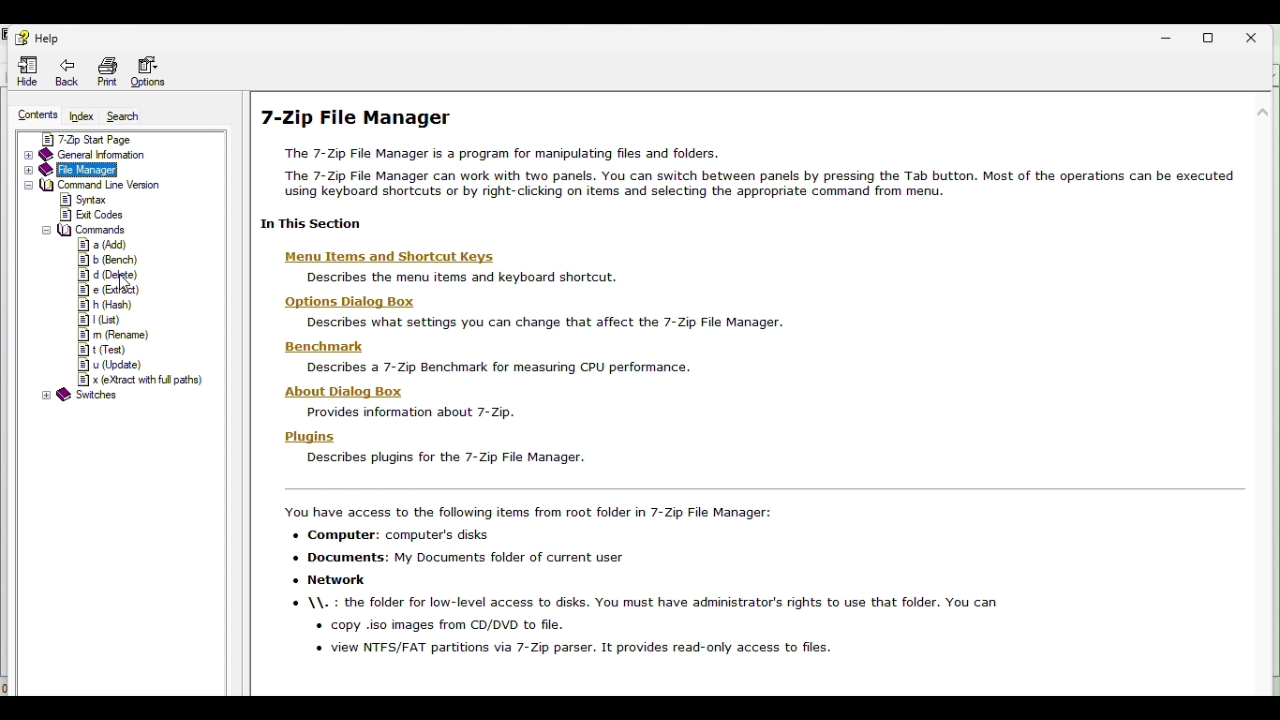  Describe the element at coordinates (301, 436) in the screenshot. I see `Plugins` at that location.